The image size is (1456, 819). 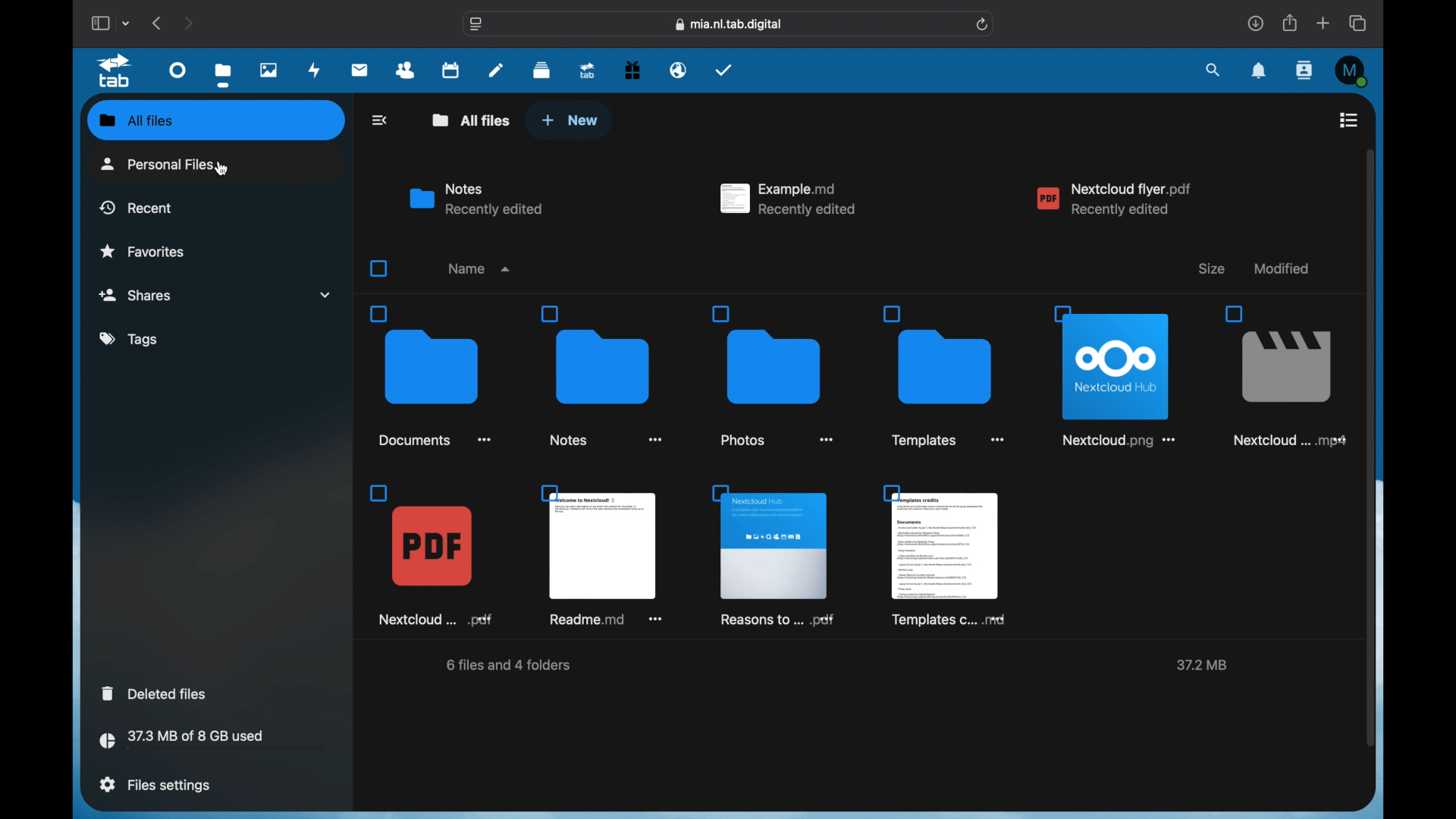 I want to click on web address, so click(x=730, y=25).